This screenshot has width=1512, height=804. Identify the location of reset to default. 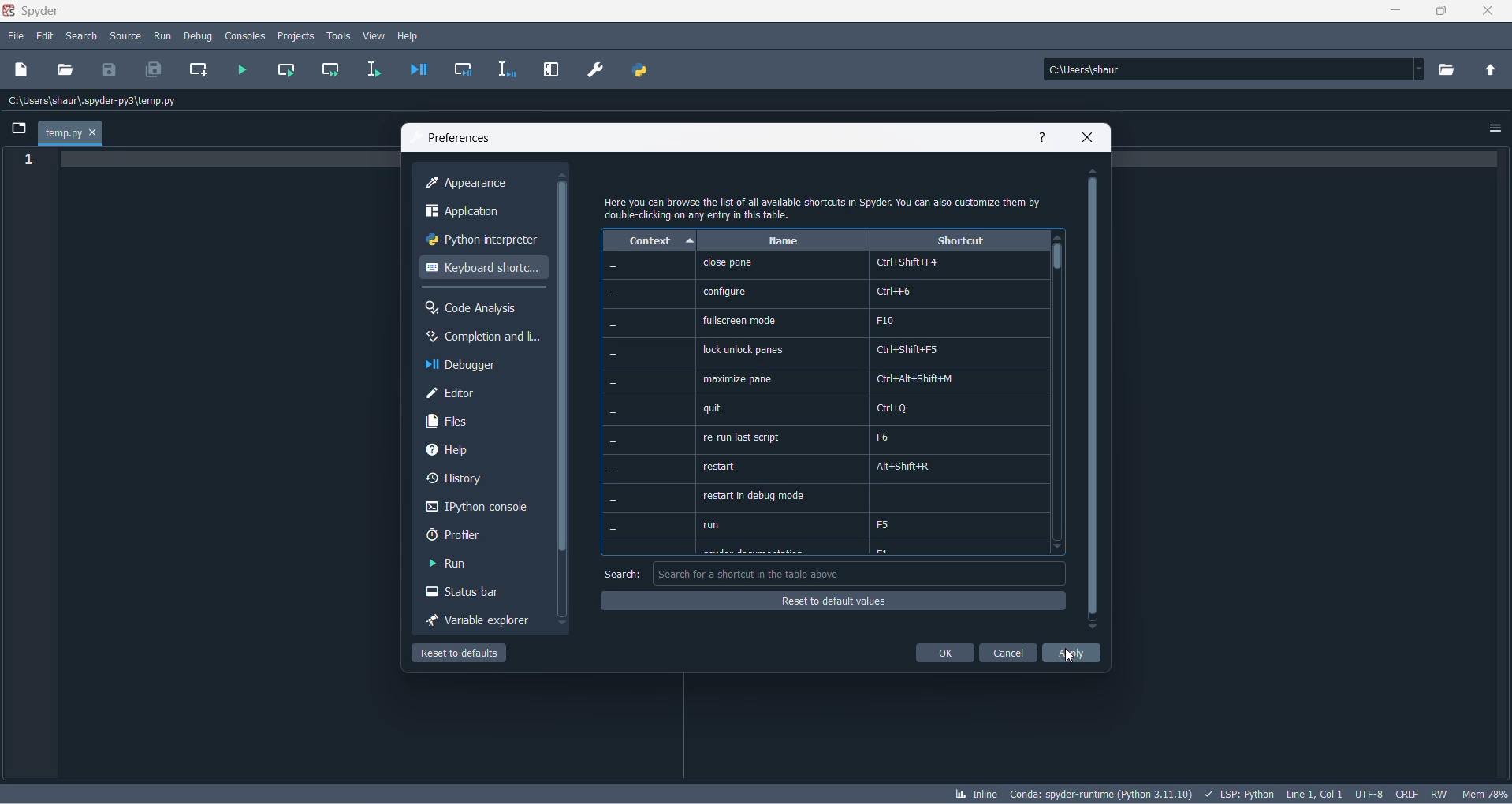
(464, 655).